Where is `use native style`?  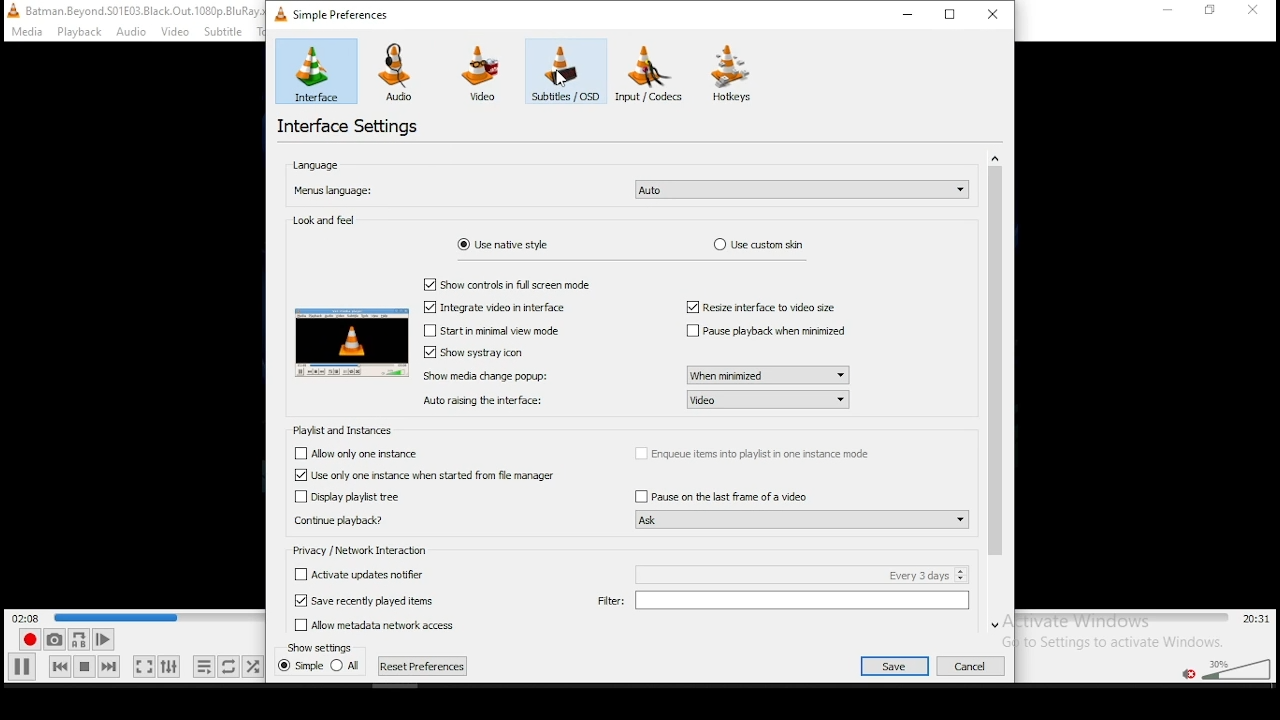
use native style is located at coordinates (502, 244).